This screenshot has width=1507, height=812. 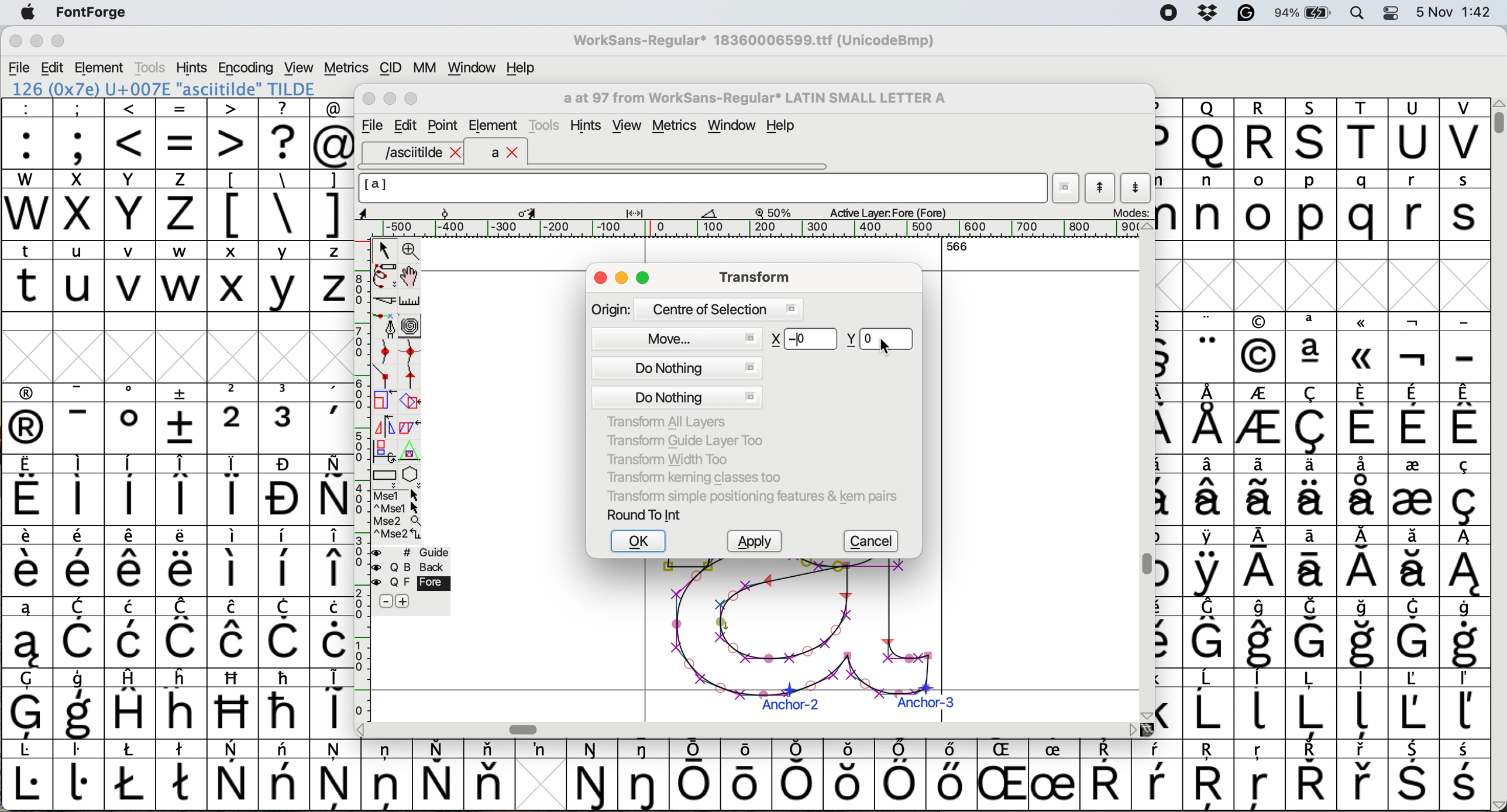 What do you see at coordinates (130, 133) in the screenshot?
I see `<` at bounding box center [130, 133].